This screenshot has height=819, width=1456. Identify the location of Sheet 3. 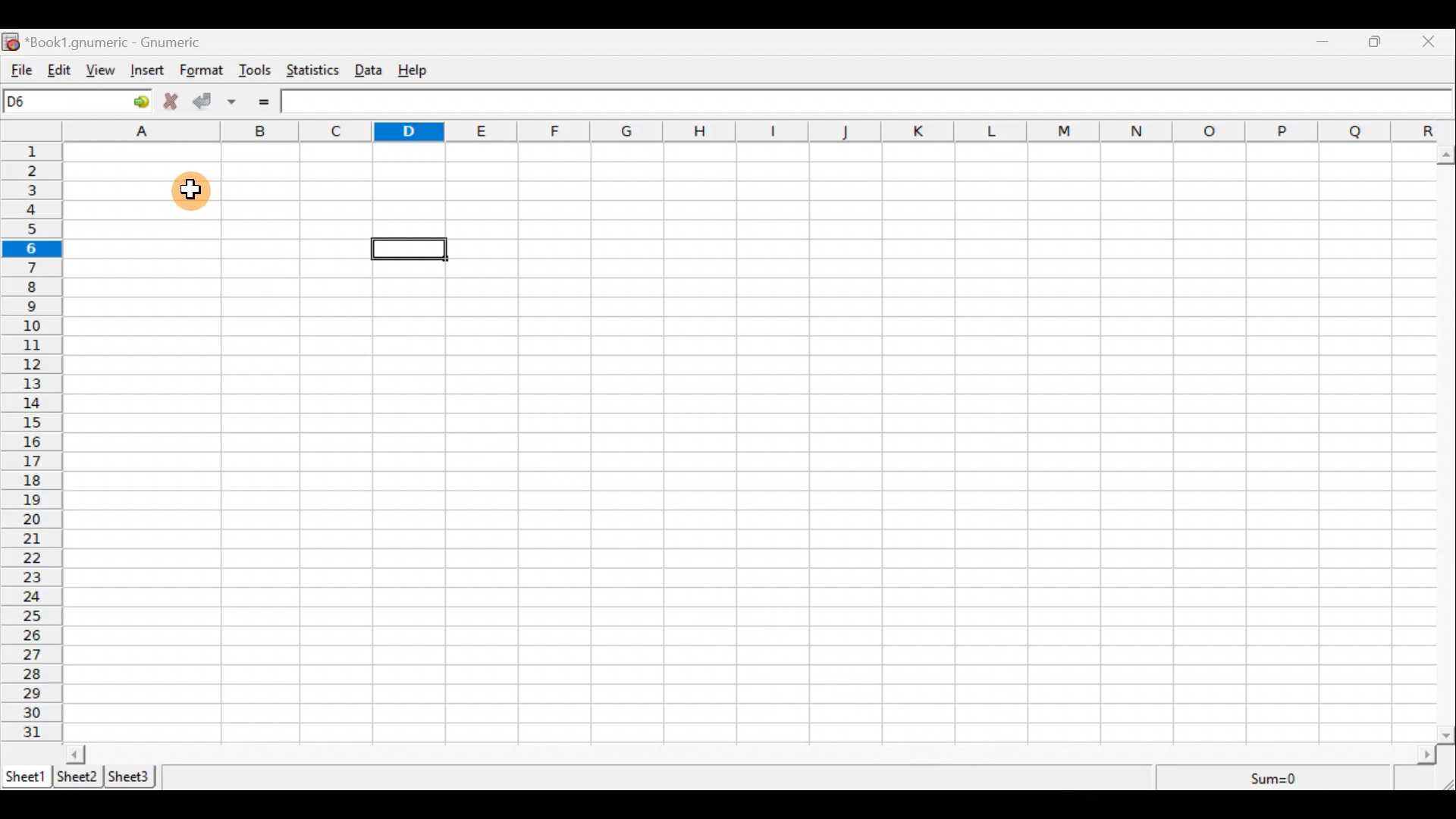
(129, 777).